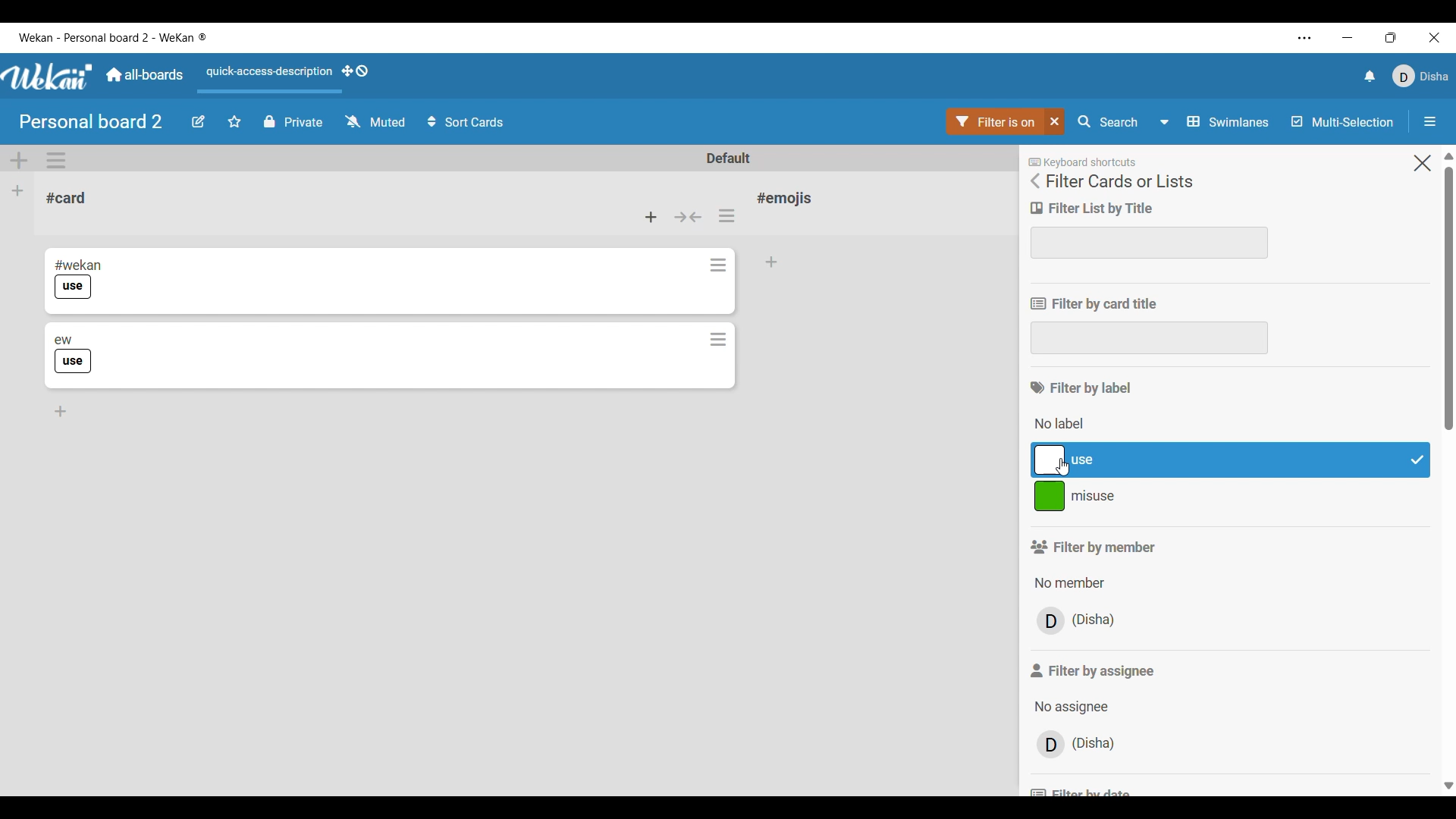 The height and width of the screenshot is (819, 1456). What do you see at coordinates (1034, 181) in the screenshot?
I see `Go back` at bounding box center [1034, 181].